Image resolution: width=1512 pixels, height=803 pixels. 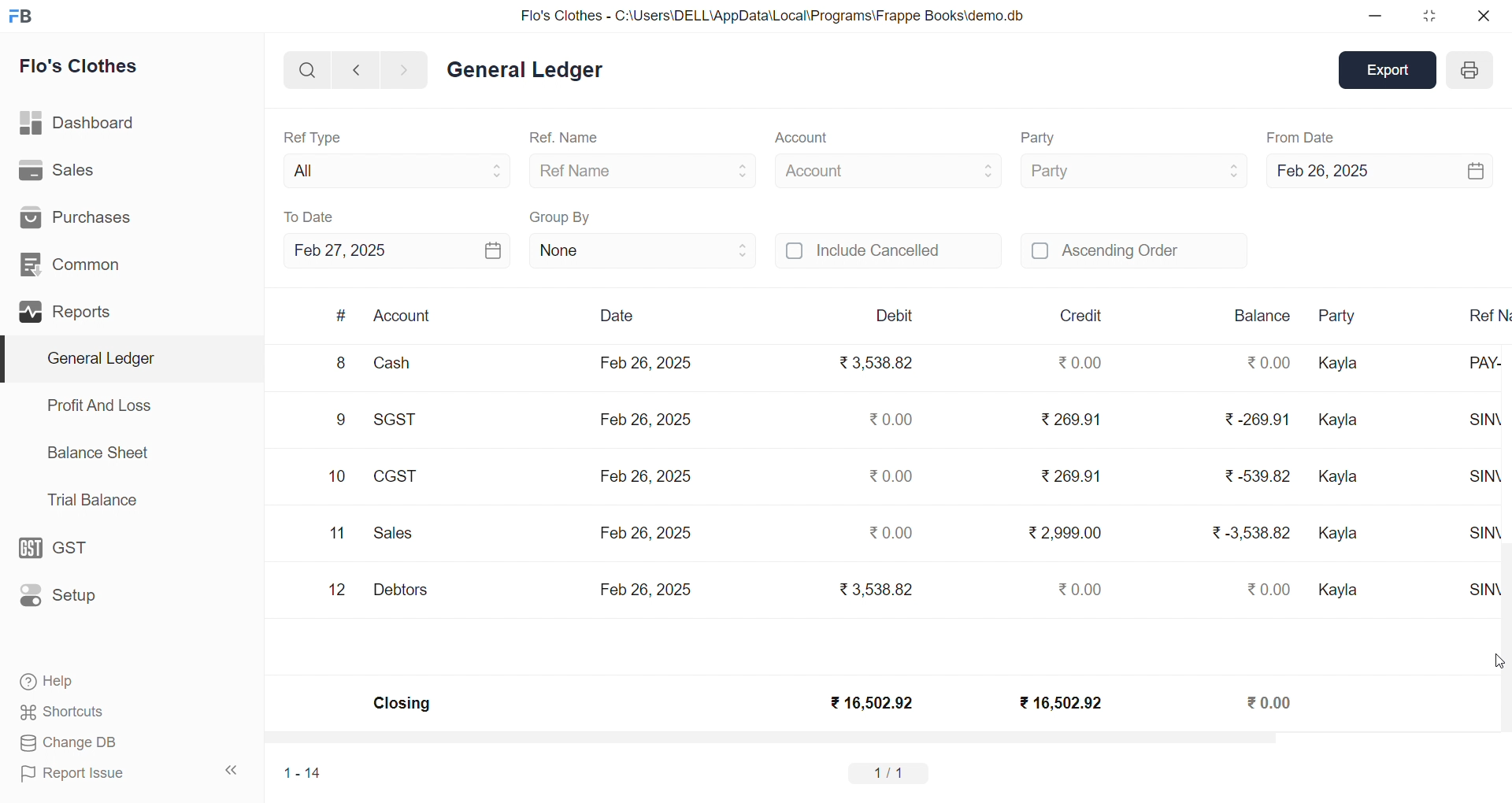 What do you see at coordinates (1271, 701) in the screenshot?
I see `₹ 0.00` at bounding box center [1271, 701].